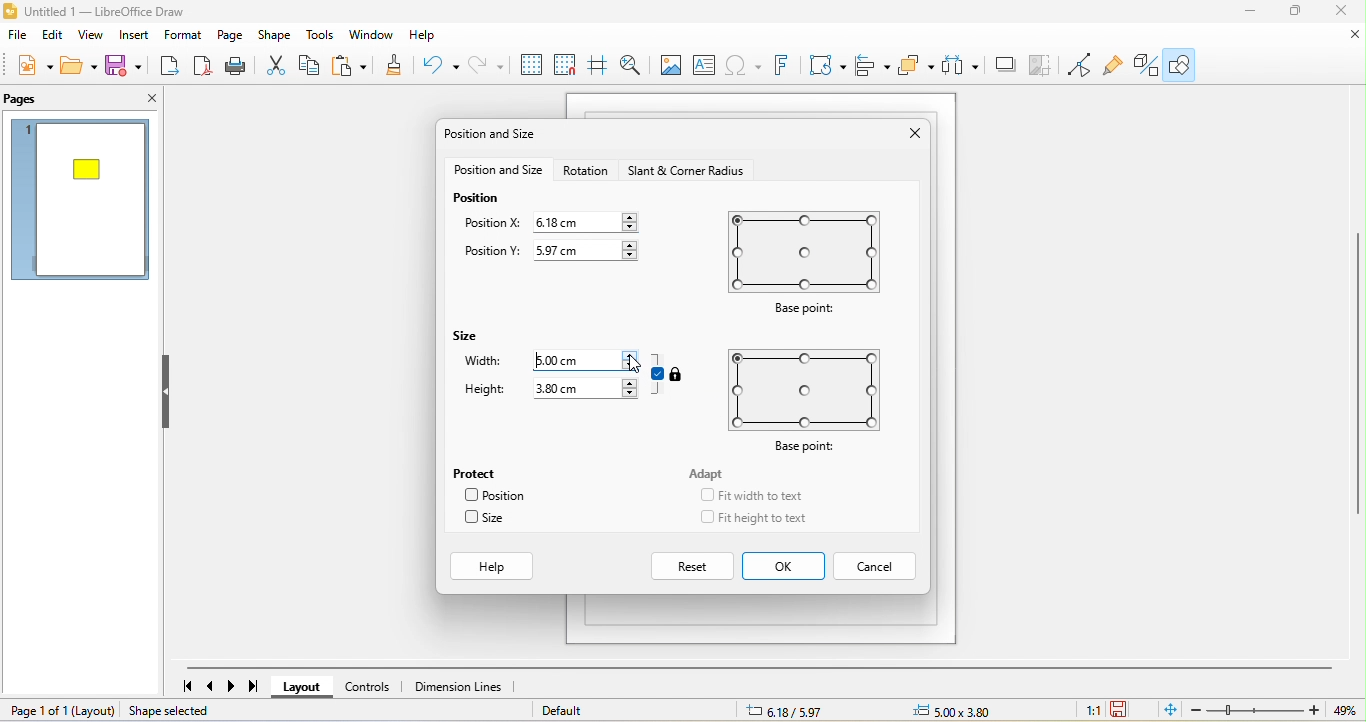  I want to click on position x, so click(490, 225).